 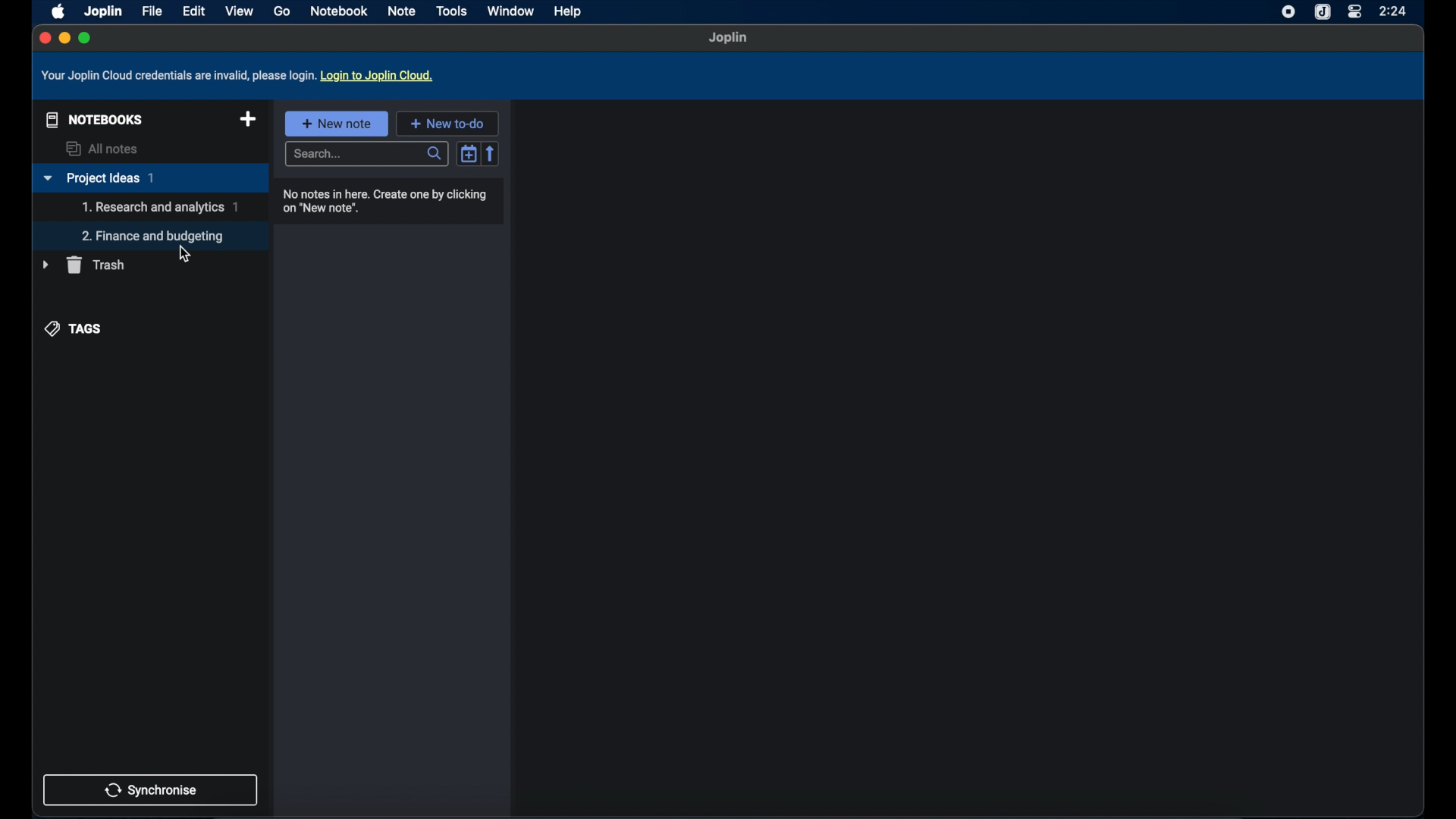 I want to click on apple icon, so click(x=55, y=11).